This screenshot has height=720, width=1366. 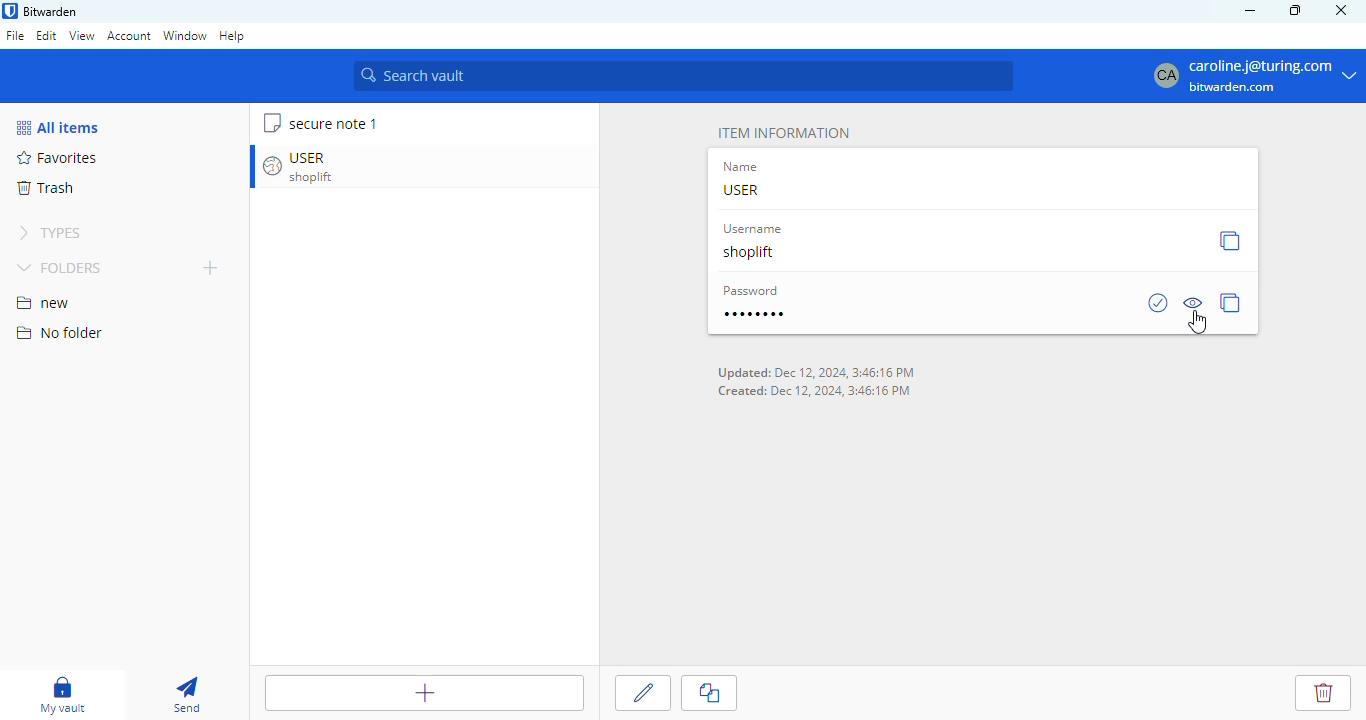 I want to click on name, so click(x=743, y=167).